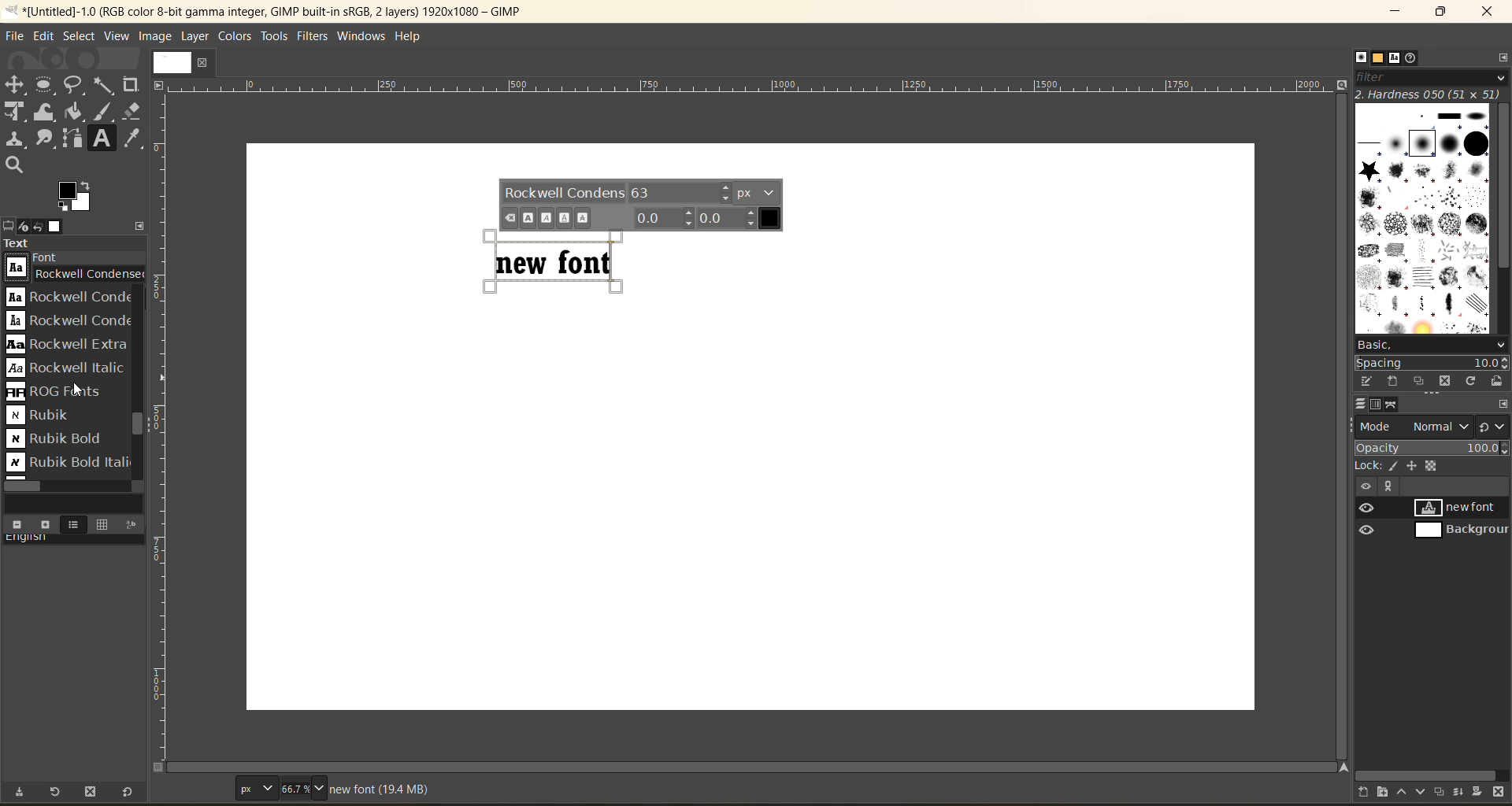  I want to click on create a new brush, so click(1392, 383).